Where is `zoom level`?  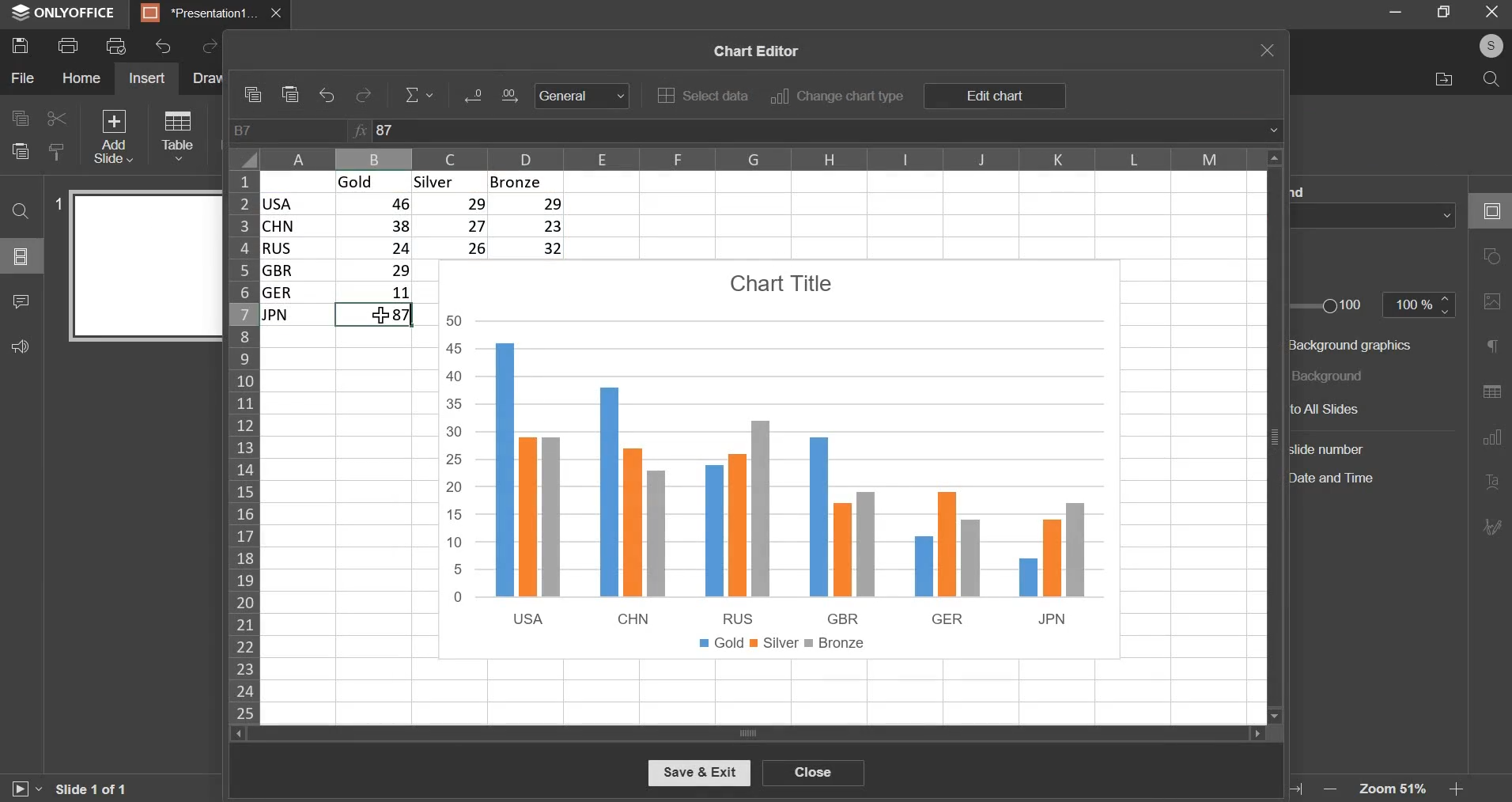
zoom level is located at coordinates (1392, 789).